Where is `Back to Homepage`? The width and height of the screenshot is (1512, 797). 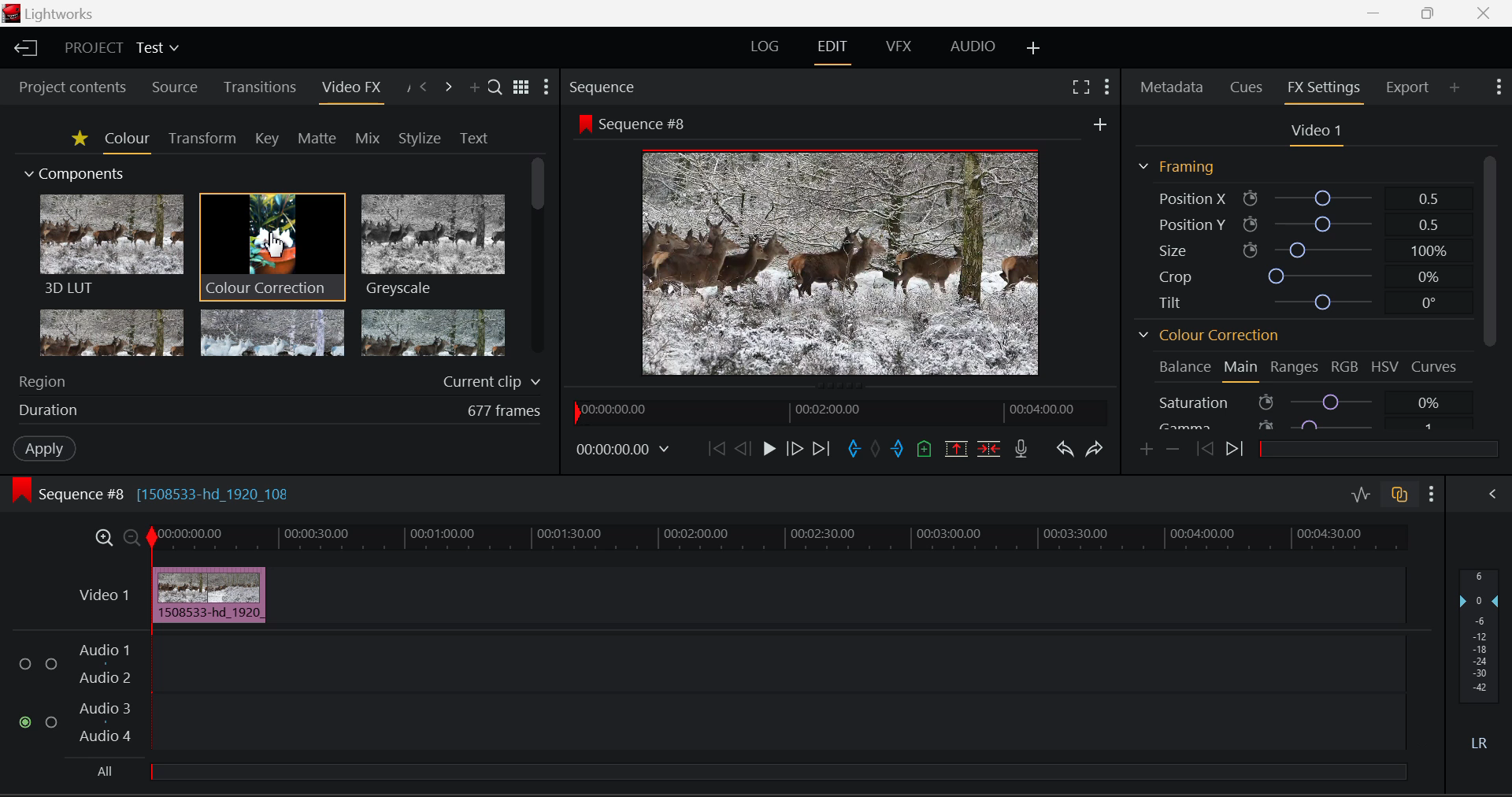
Back to Homepage is located at coordinates (24, 49).